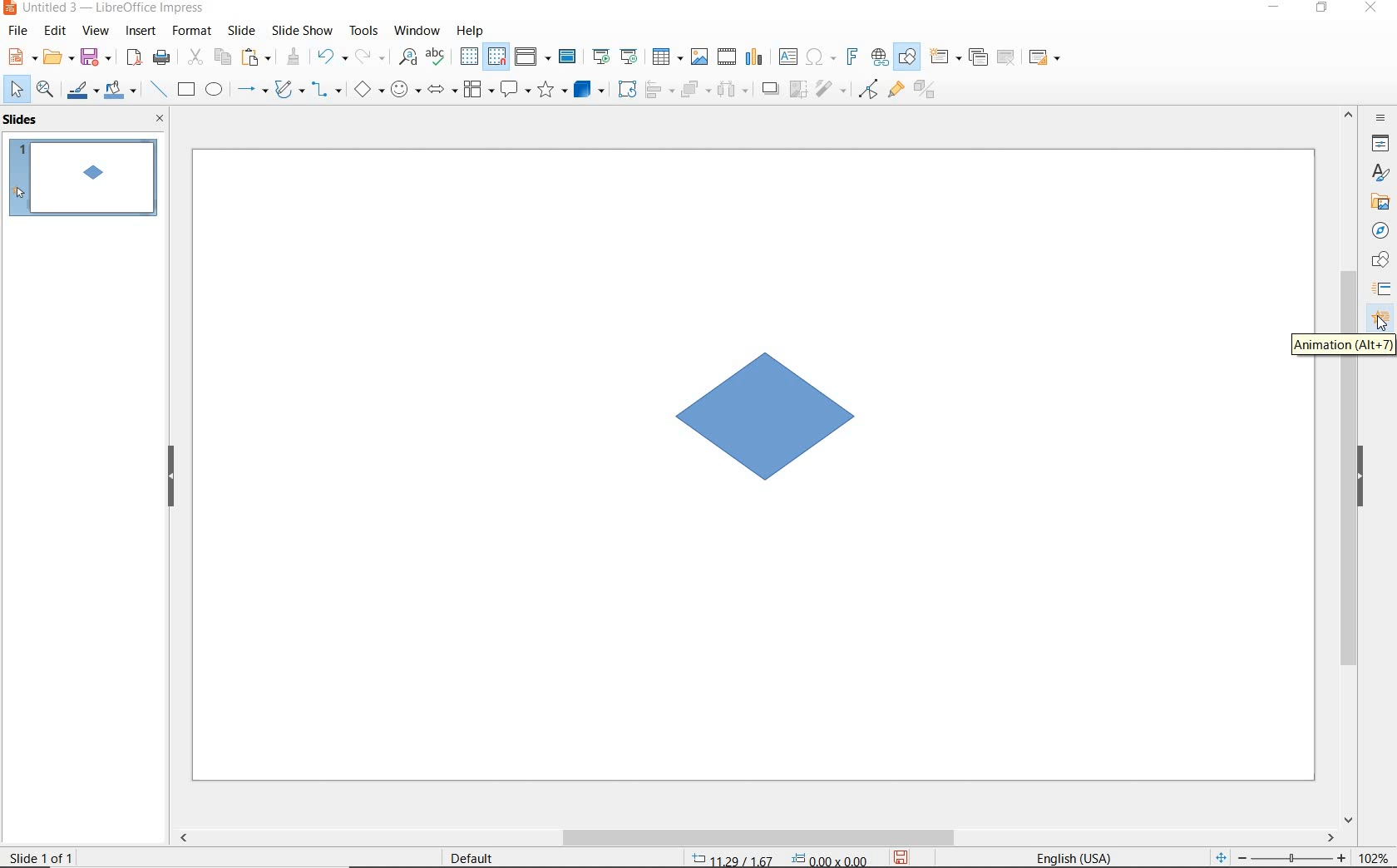 This screenshot has height=868, width=1397. Describe the element at coordinates (903, 857) in the screenshot. I see `save` at that location.